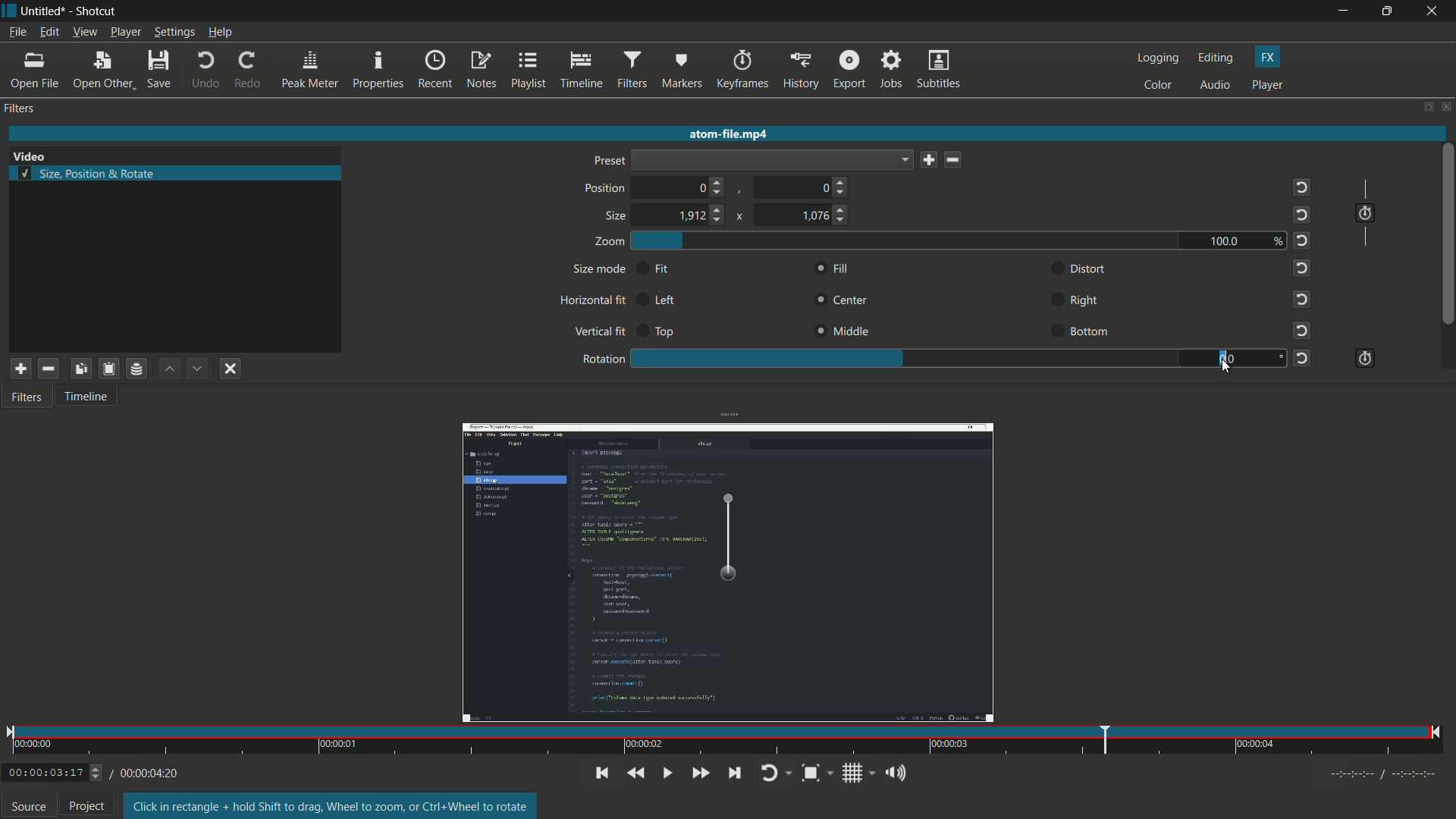 The image size is (1456, 819). What do you see at coordinates (1436, 11) in the screenshot?
I see `close app` at bounding box center [1436, 11].